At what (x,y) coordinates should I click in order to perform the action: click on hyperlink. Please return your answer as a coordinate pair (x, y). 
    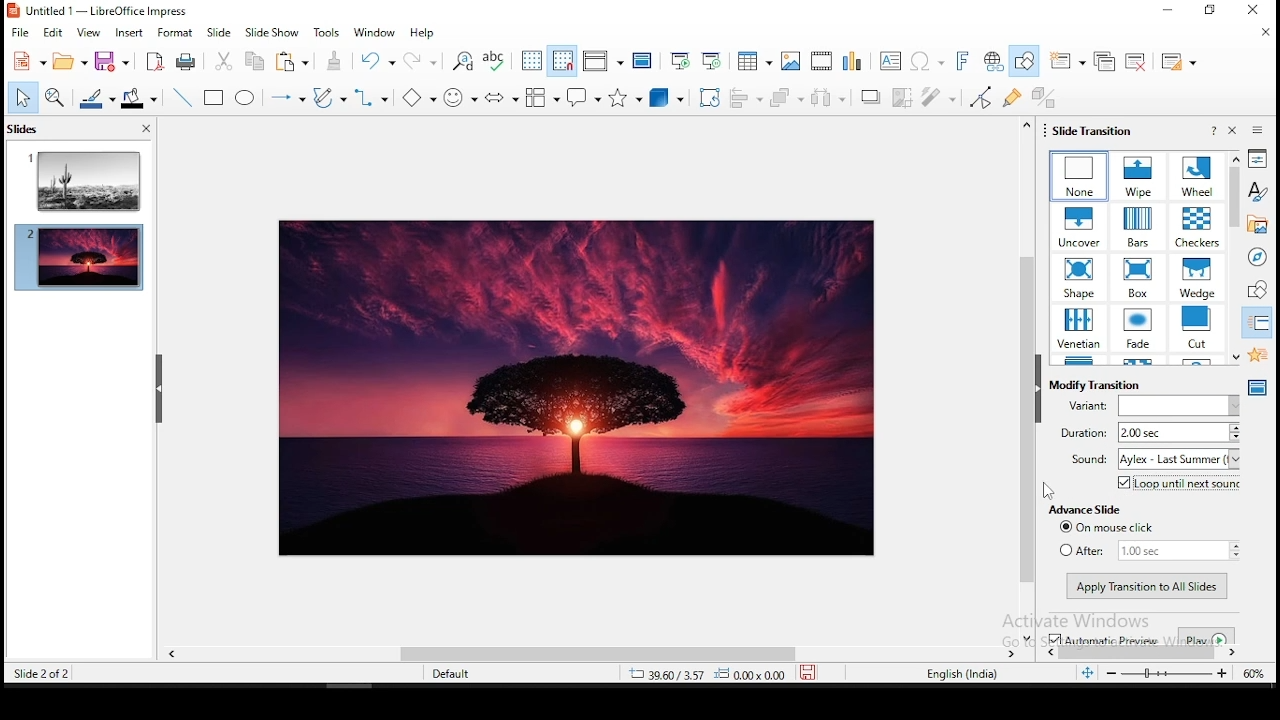
    Looking at the image, I should click on (995, 61).